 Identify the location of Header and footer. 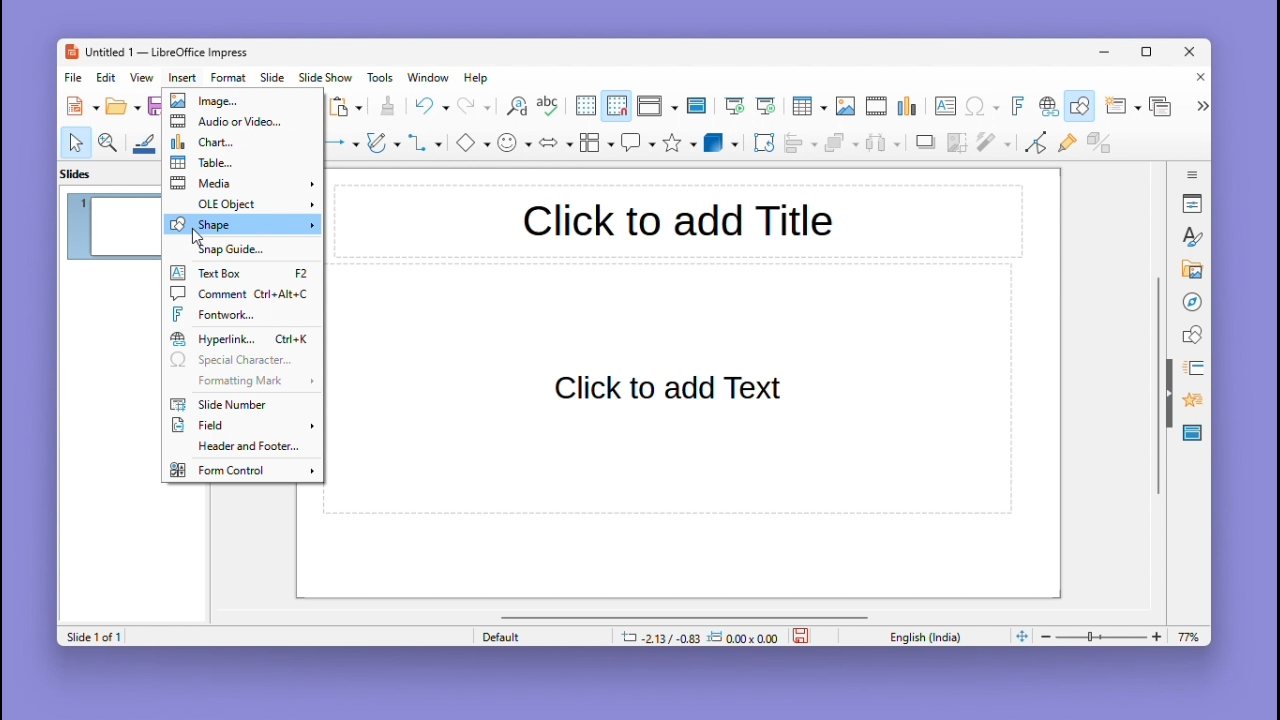
(239, 448).